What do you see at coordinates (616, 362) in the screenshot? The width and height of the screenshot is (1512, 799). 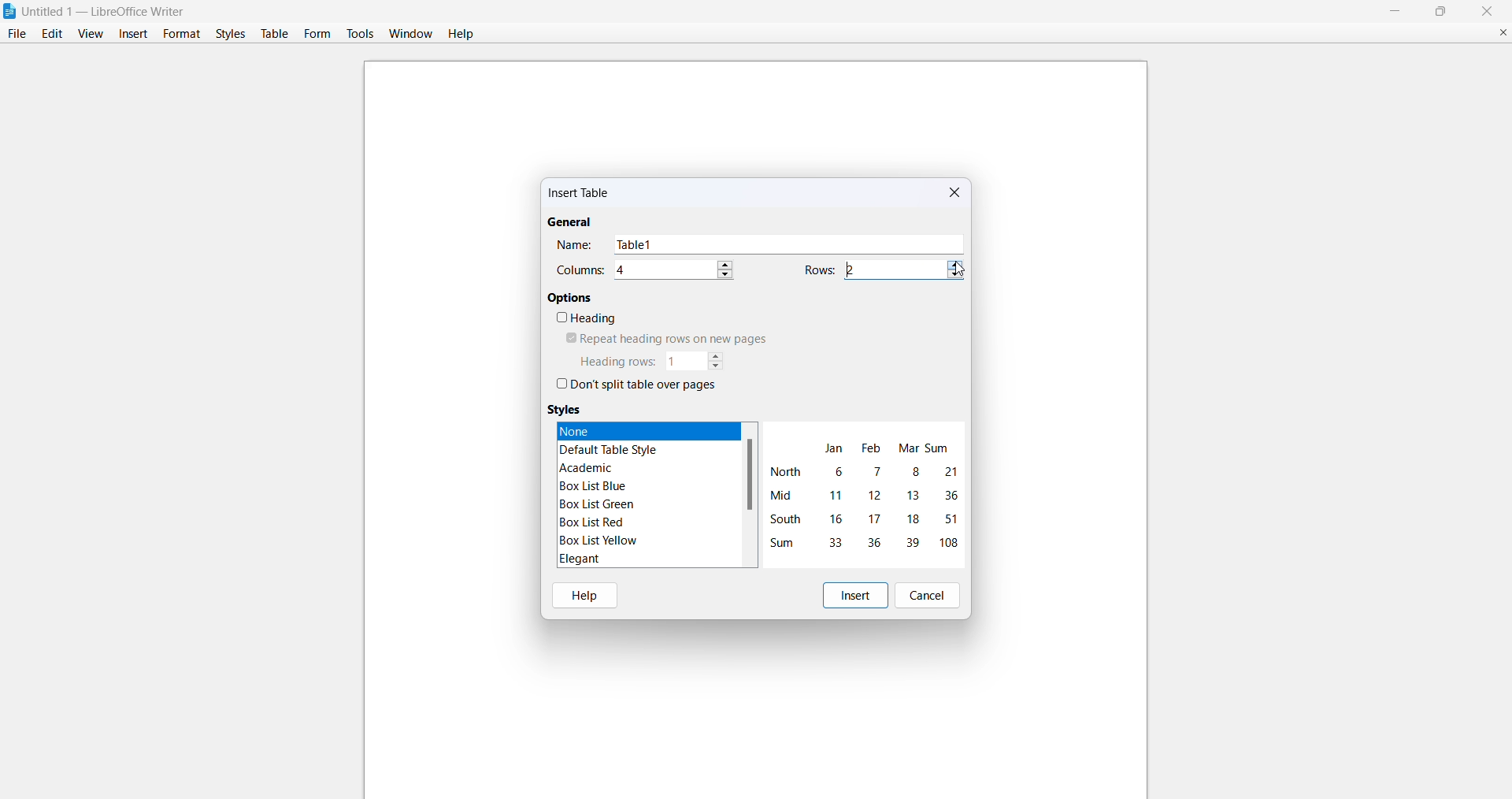 I see `heading rows` at bounding box center [616, 362].